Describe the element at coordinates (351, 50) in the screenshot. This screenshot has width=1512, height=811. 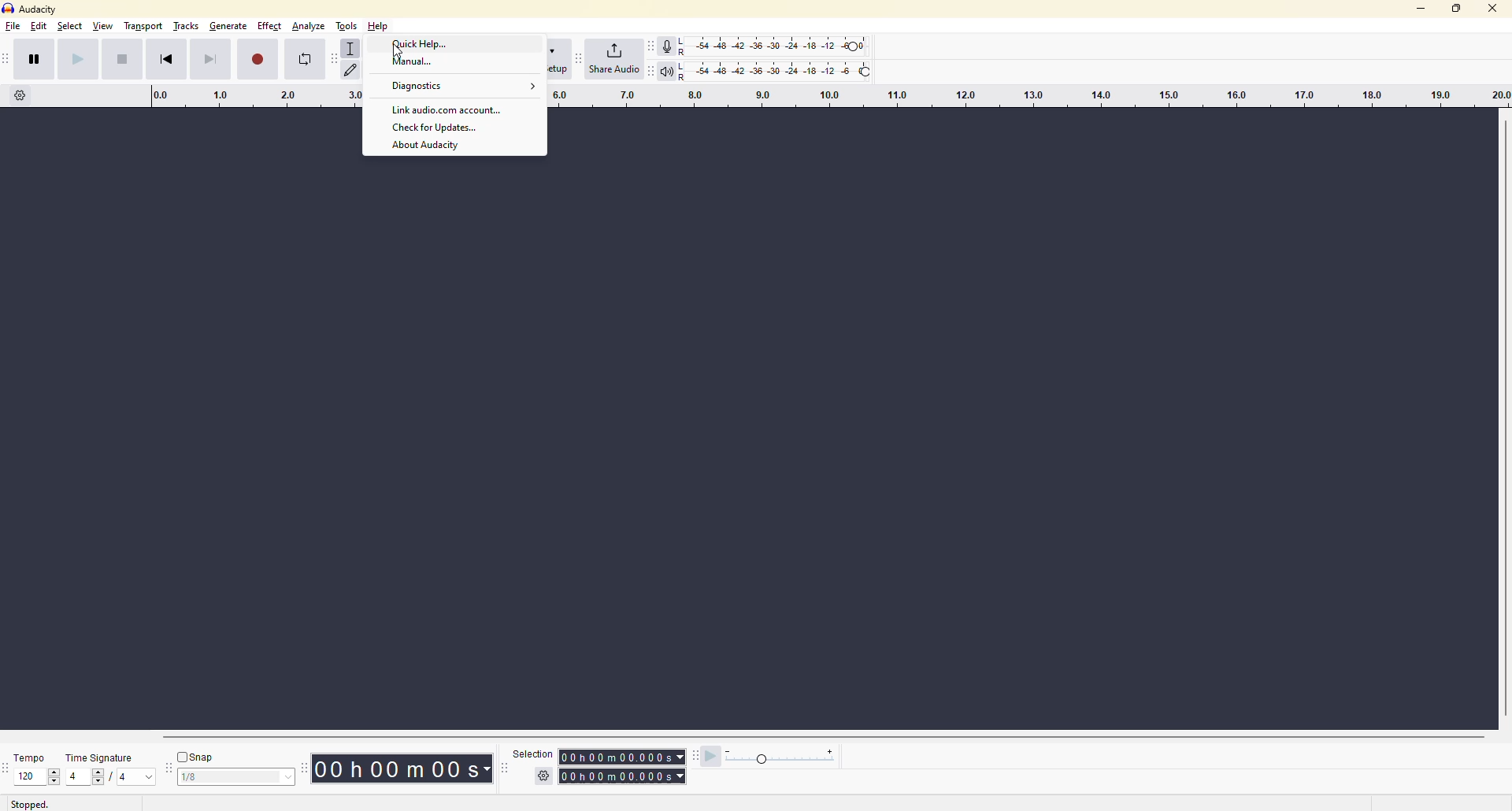
I see `selection tool` at that location.